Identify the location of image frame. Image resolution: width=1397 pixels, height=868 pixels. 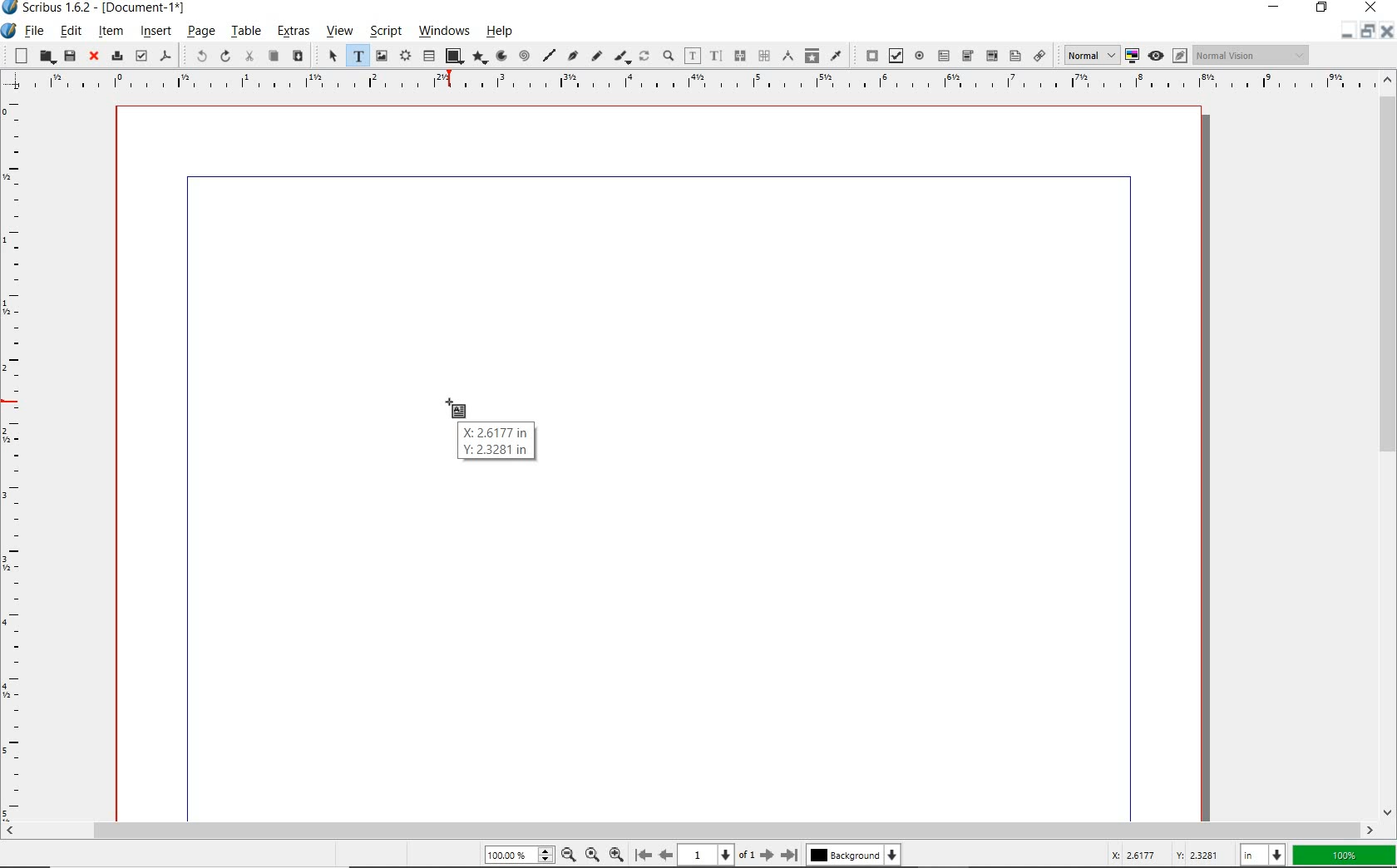
(381, 55).